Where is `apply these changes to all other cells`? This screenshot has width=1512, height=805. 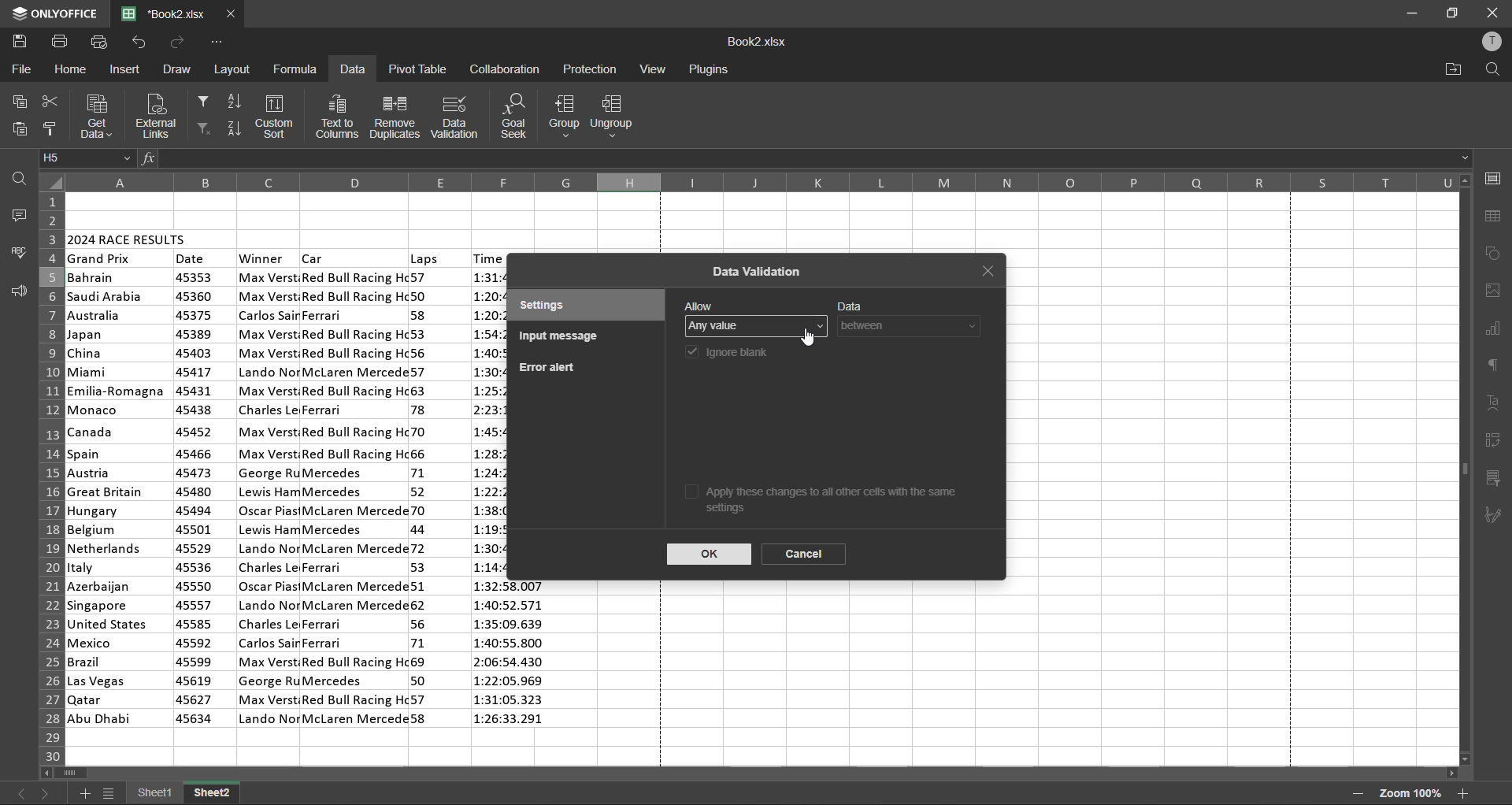
apply these changes to all other cells is located at coordinates (839, 503).